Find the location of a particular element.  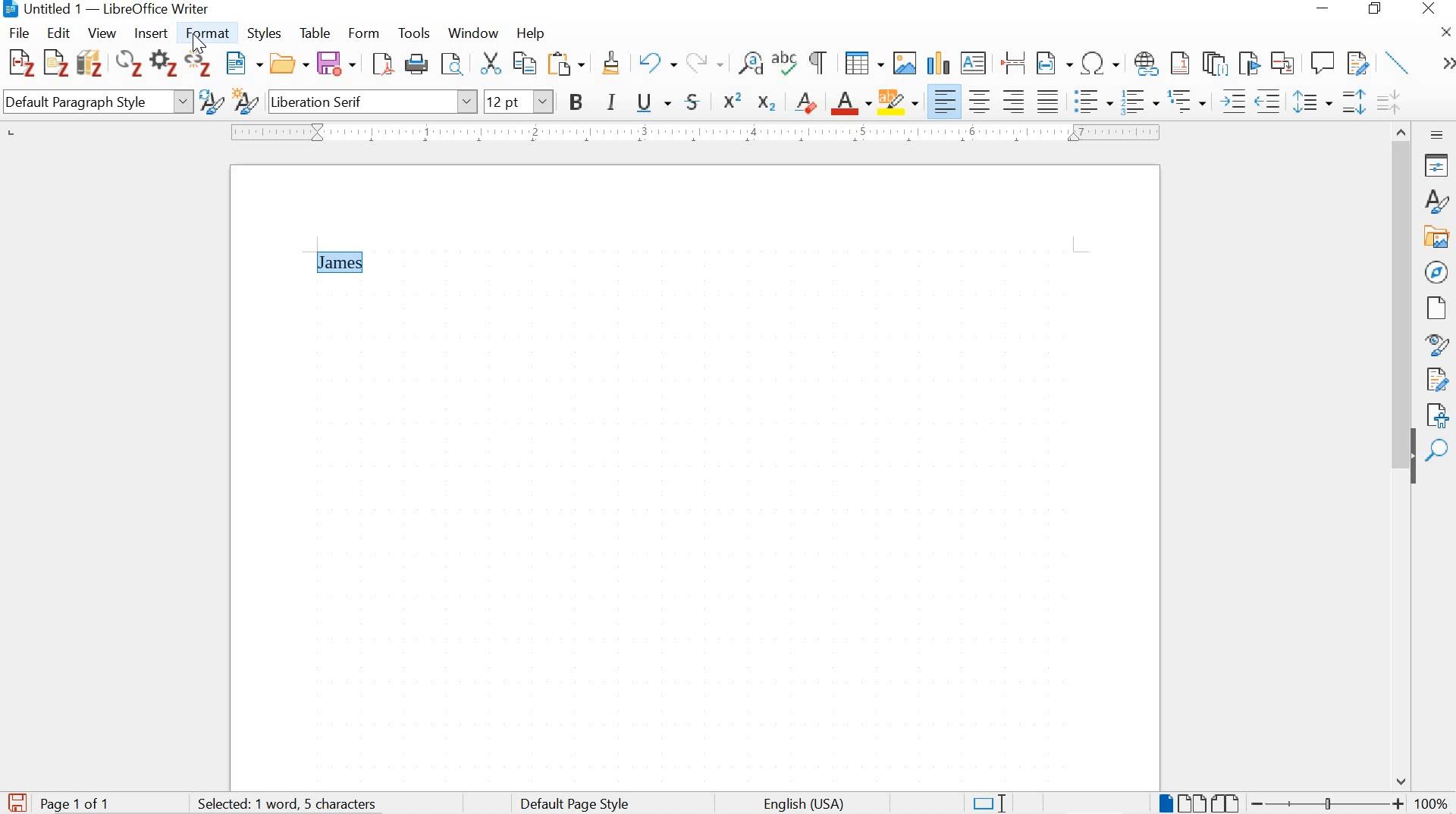

edit is located at coordinates (59, 32).